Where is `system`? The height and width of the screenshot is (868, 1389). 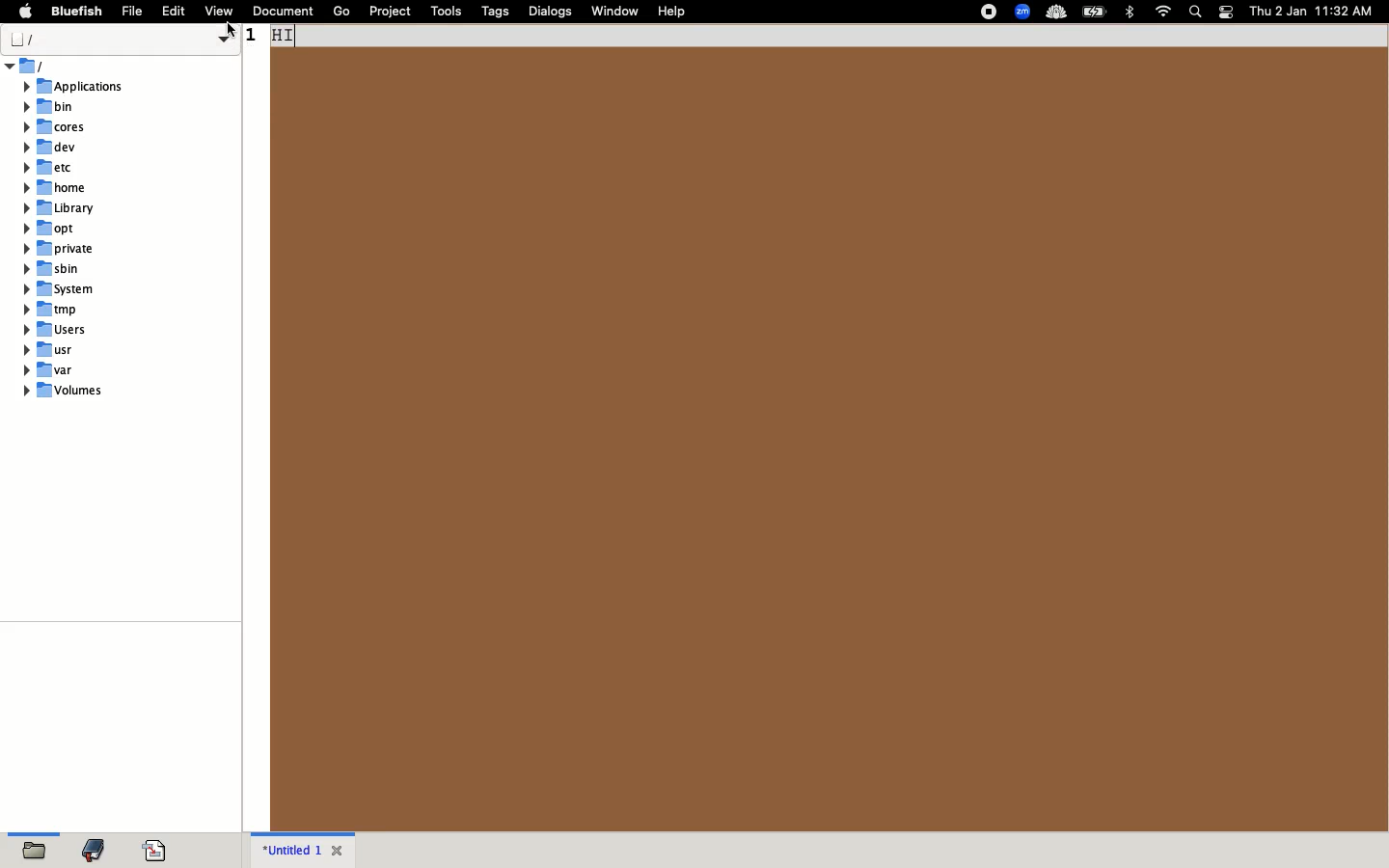 system is located at coordinates (60, 287).